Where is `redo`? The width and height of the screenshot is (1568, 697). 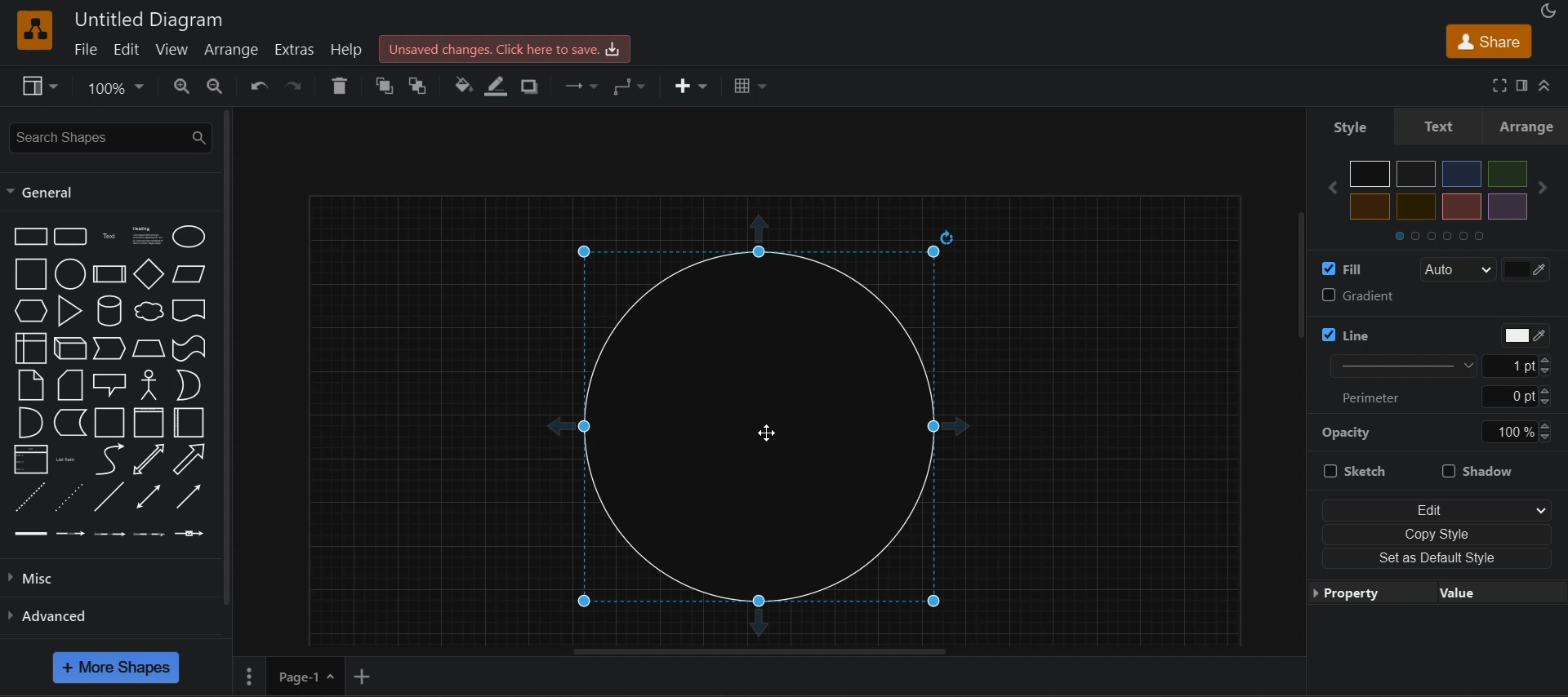
redo is located at coordinates (299, 84).